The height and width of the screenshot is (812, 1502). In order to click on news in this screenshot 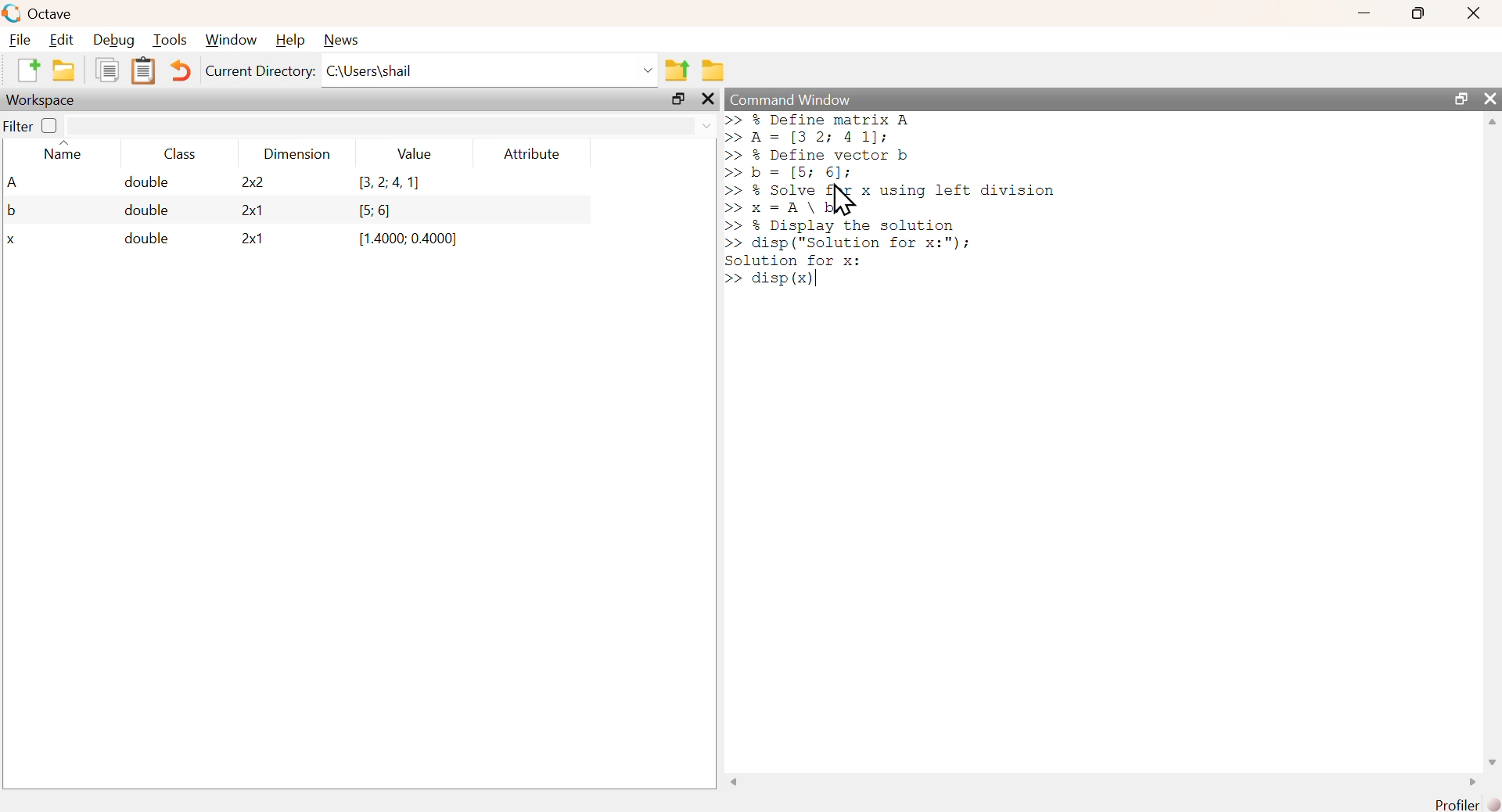, I will do `click(341, 39)`.